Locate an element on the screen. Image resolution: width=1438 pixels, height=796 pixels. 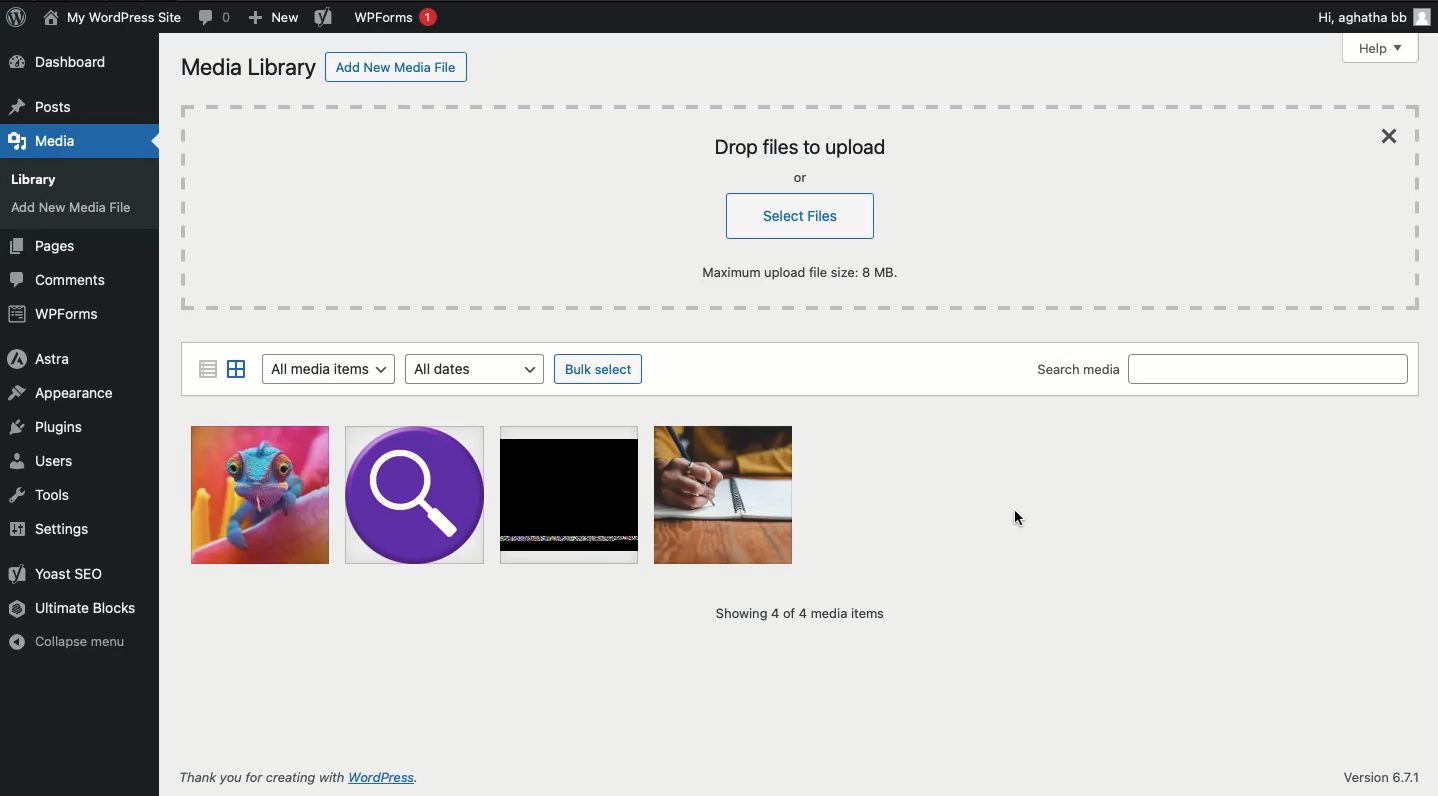
Pages is located at coordinates (47, 248).